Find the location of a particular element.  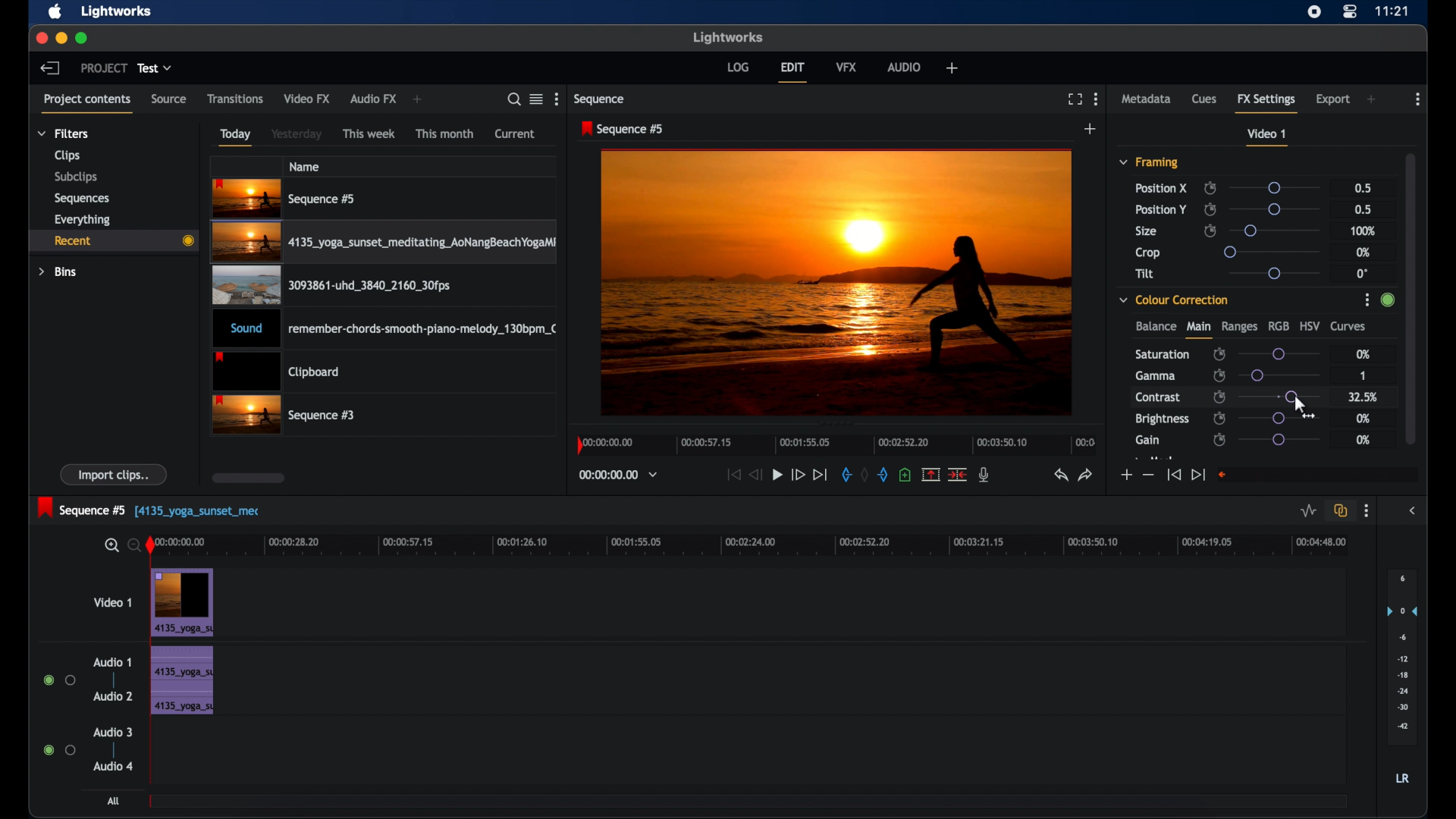

undo is located at coordinates (1059, 475).